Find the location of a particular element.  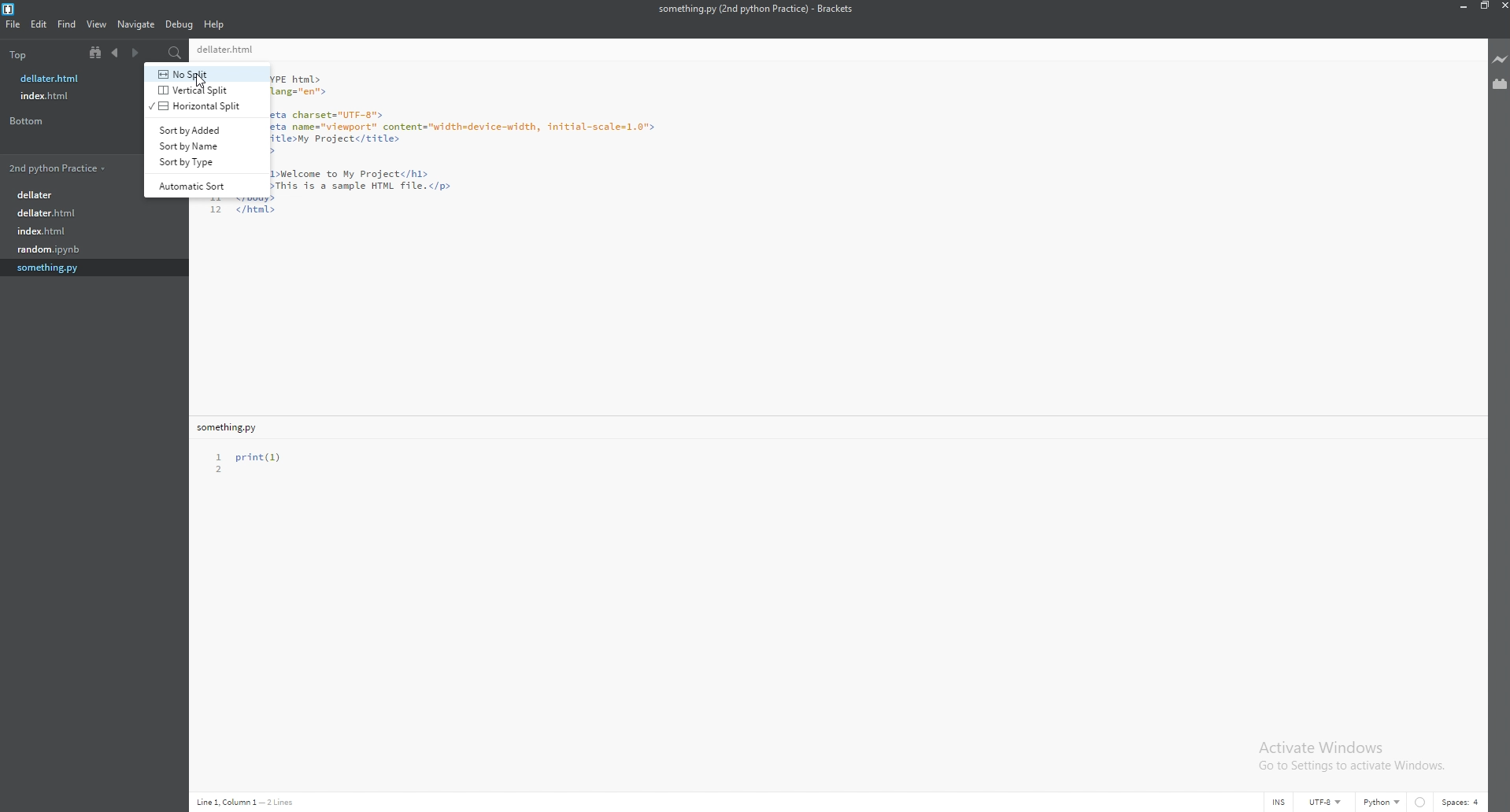

brackets is located at coordinates (11, 9).